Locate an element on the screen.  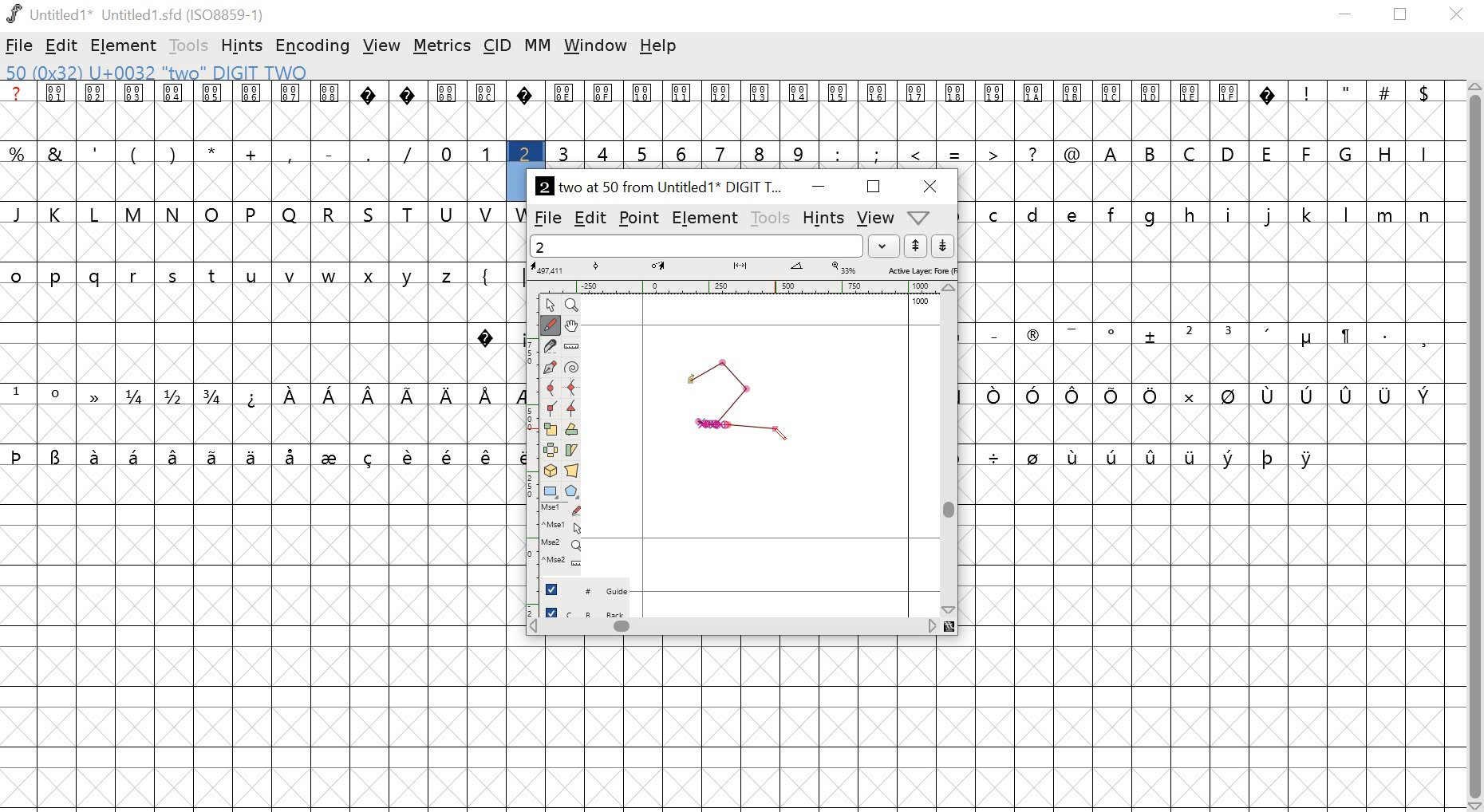
word list field is located at coordinates (697, 246).